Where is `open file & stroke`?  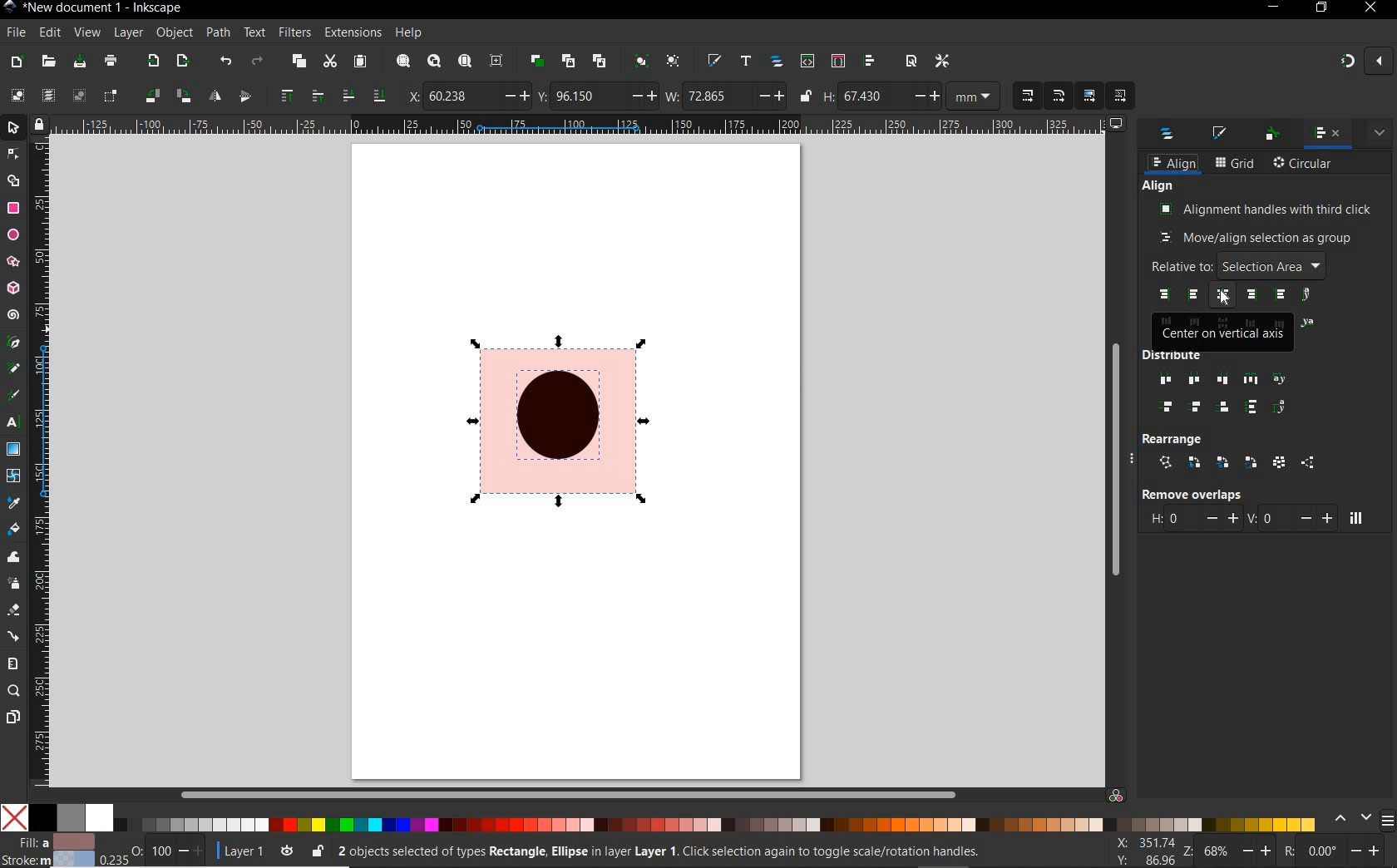
open file & stroke is located at coordinates (714, 60).